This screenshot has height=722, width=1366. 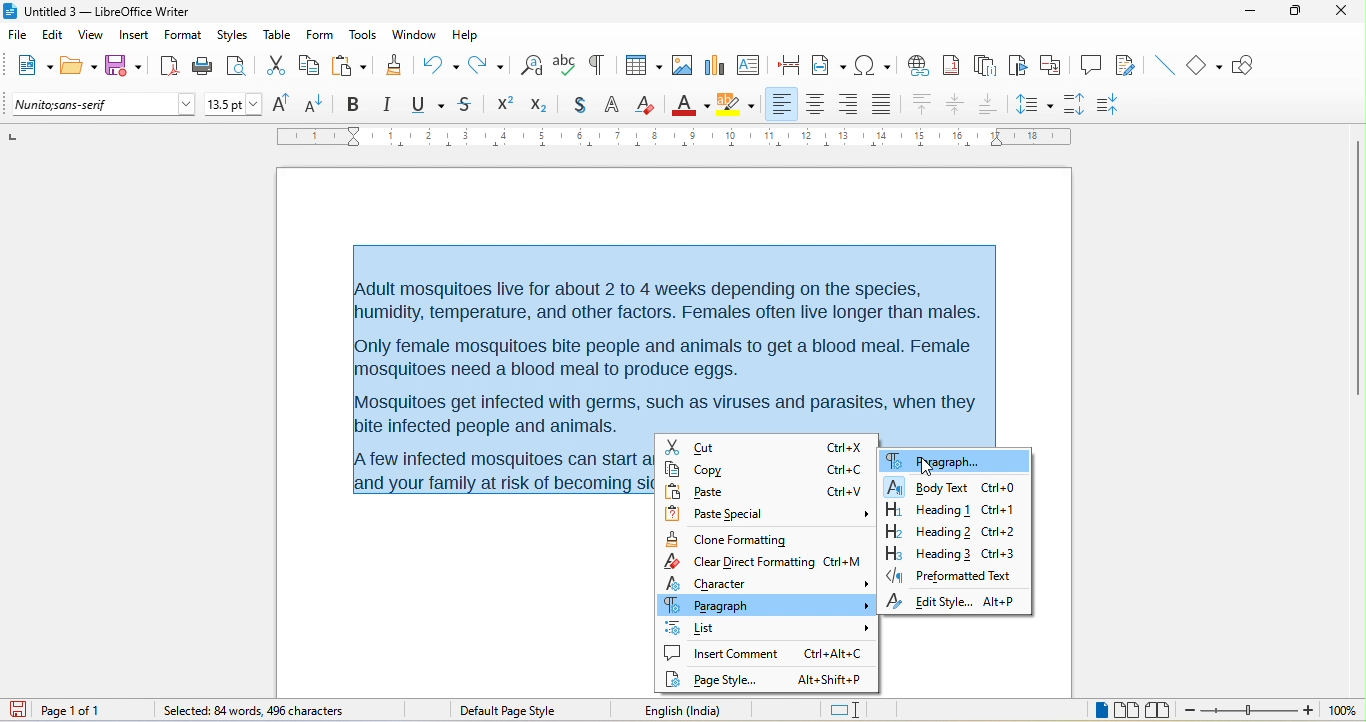 I want to click on show track changes function, so click(x=1129, y=66).